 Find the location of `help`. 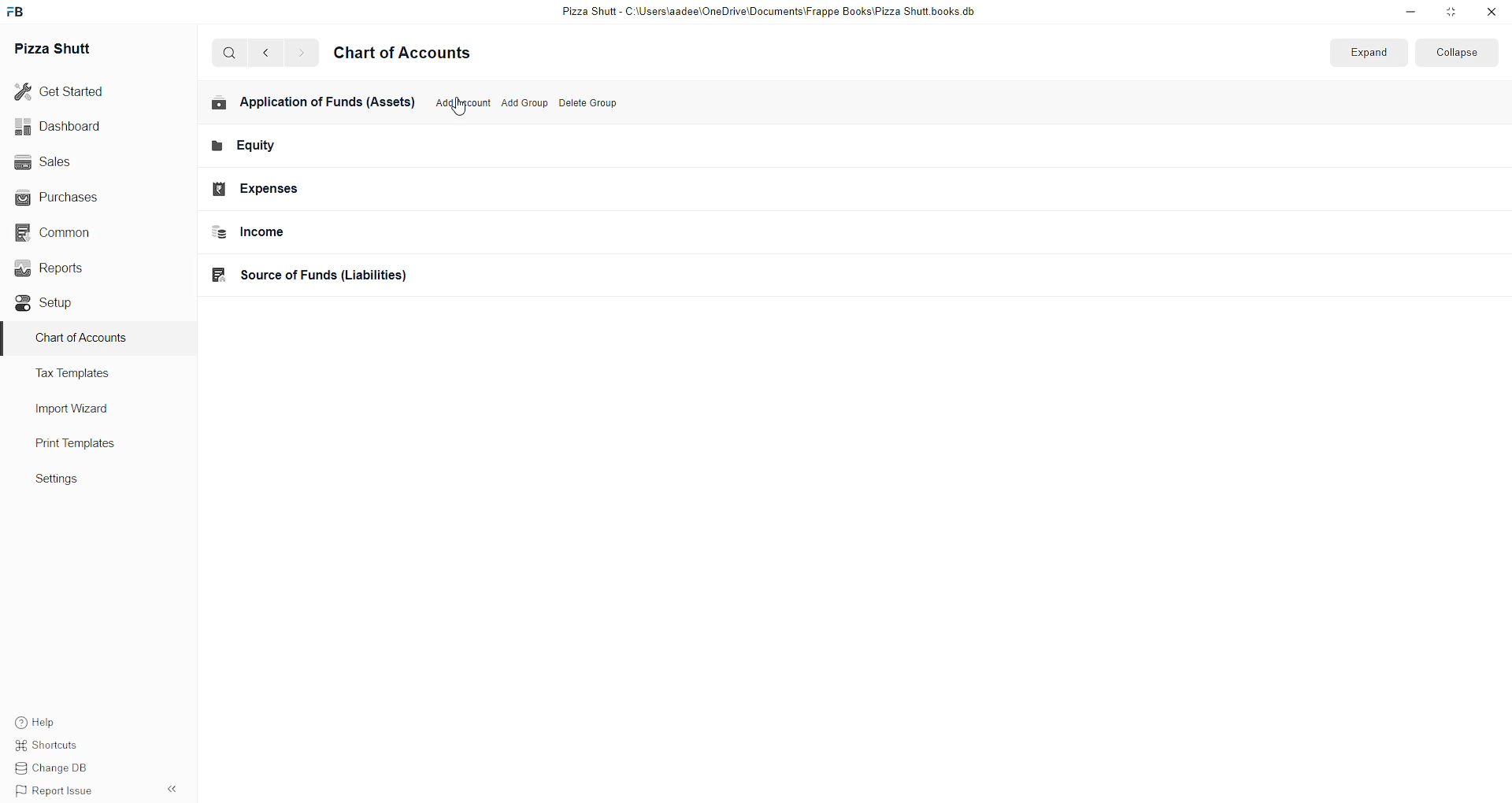

help is located at coordinates (51, 722).